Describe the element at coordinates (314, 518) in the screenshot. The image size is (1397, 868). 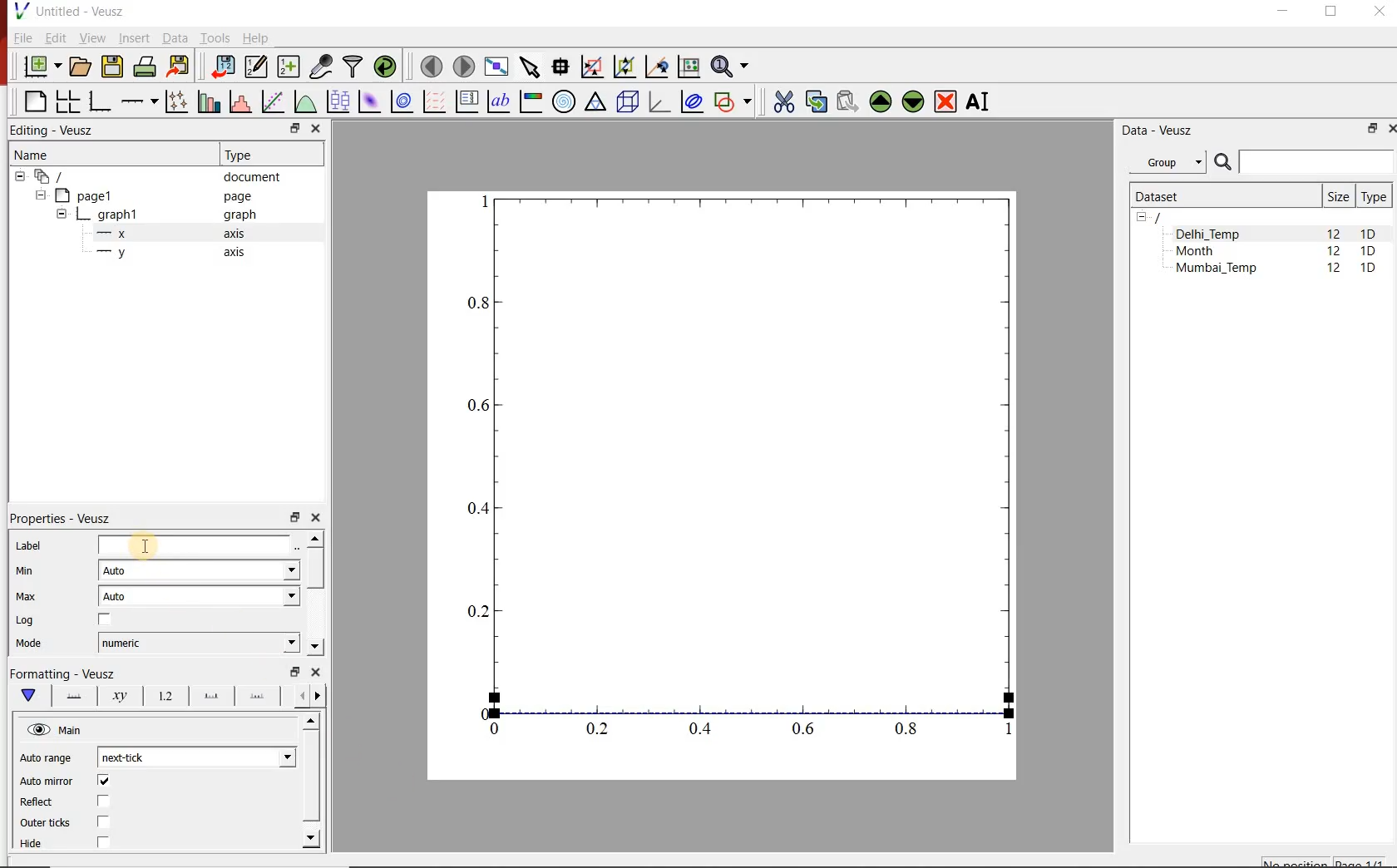
I see `close` at that location.